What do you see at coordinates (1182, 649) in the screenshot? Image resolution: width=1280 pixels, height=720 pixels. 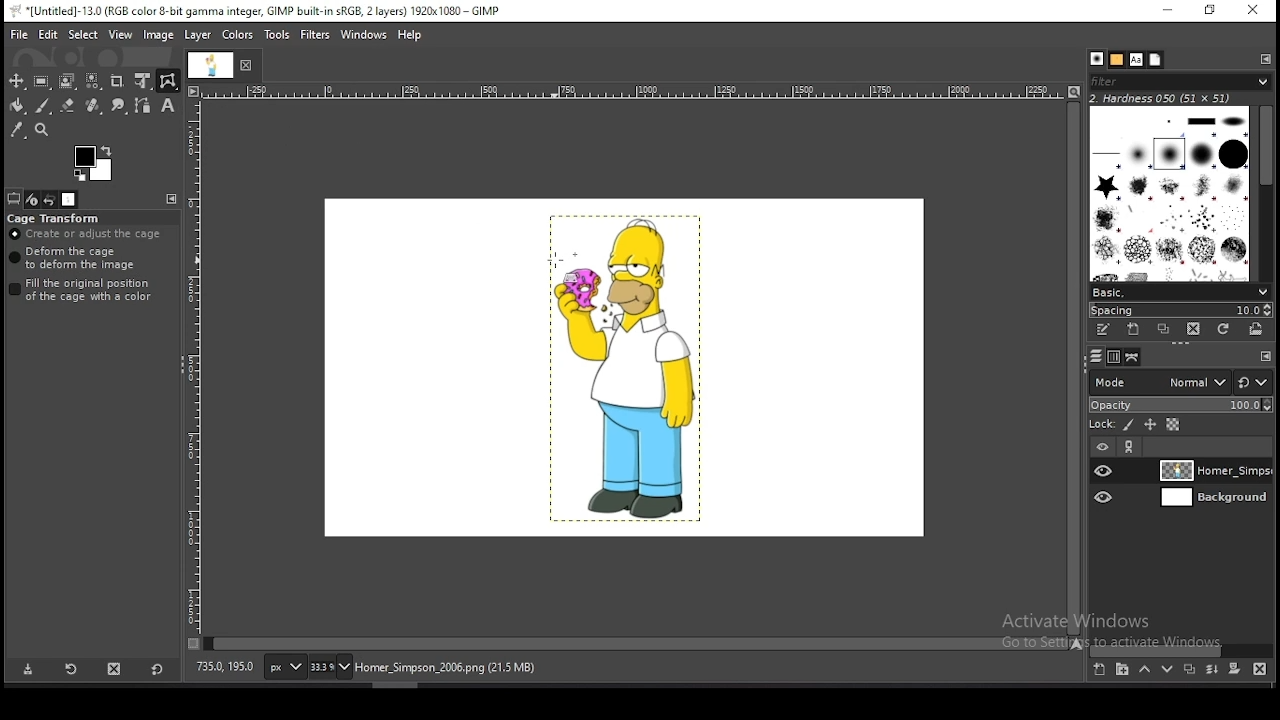 I see `scroll bar` at bounding box center [1182, 649].